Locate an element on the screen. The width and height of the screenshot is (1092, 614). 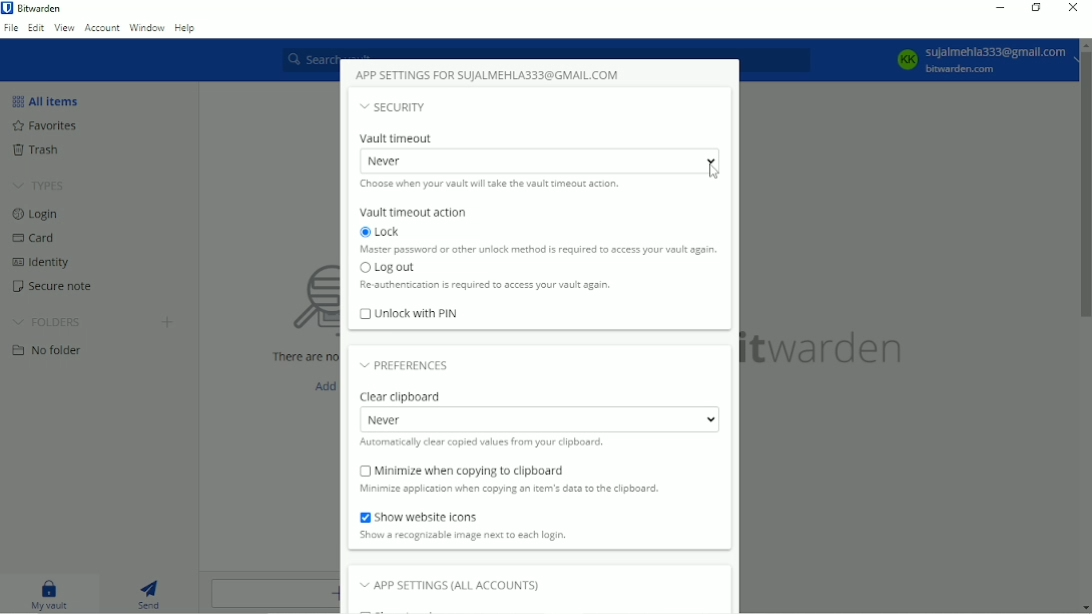
Card is located at coordinates (37, 239).